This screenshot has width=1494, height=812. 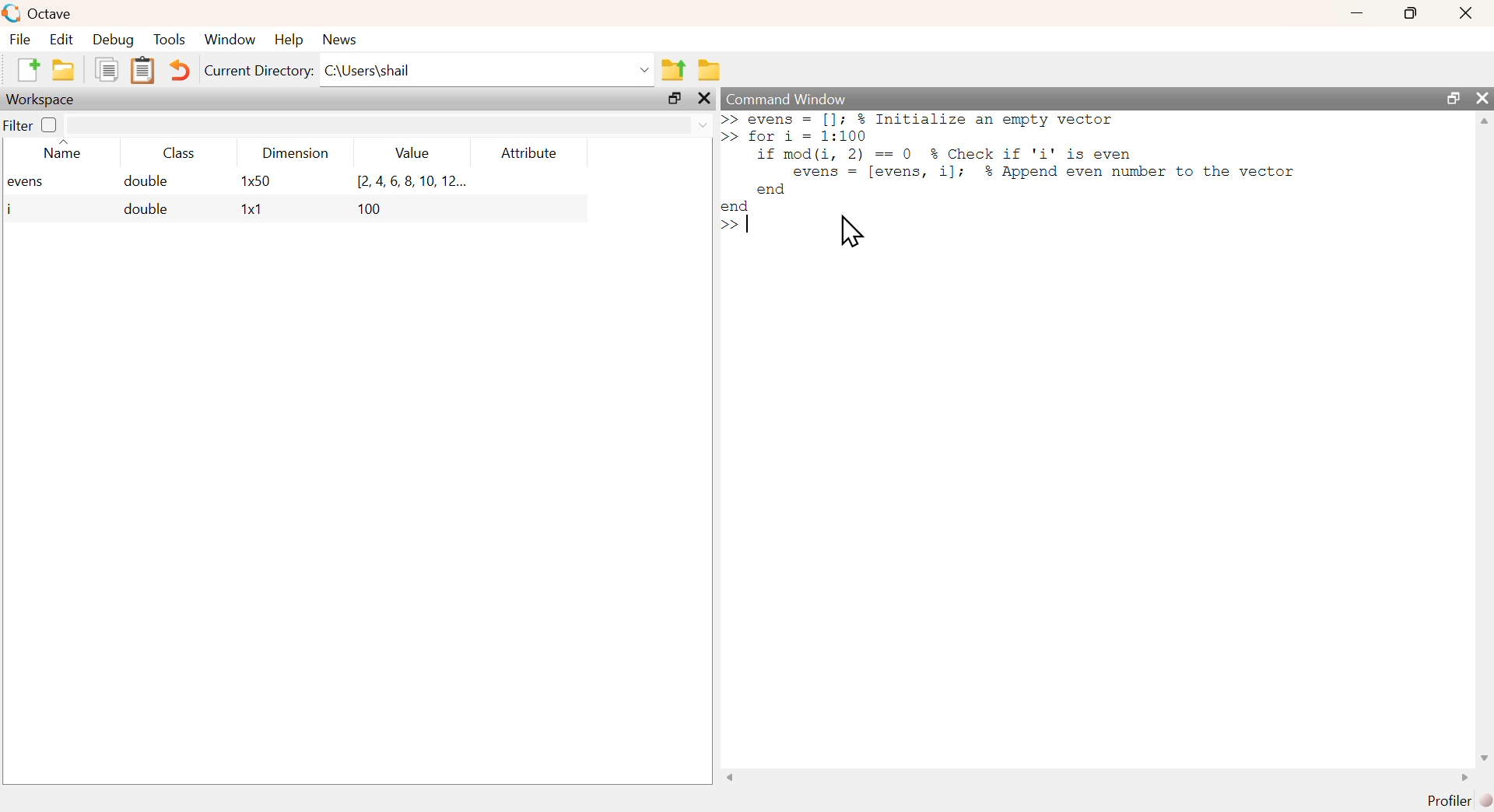 What do you see at coordinates (1453, 100) in the screenshot?
I see `maximize` at bounding box center [1453, 100].